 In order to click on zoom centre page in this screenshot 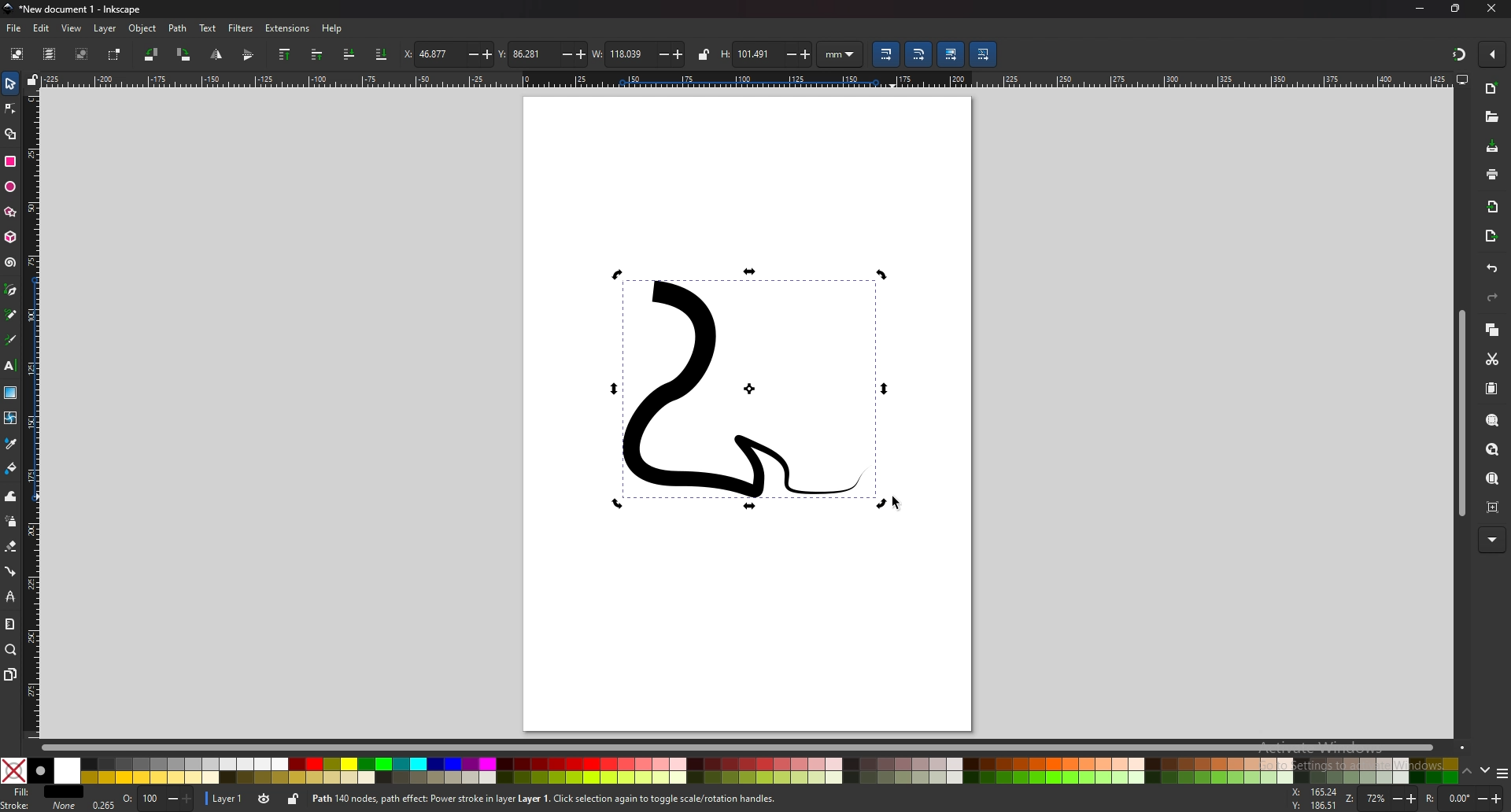, I will do `click(1493, 507)`.